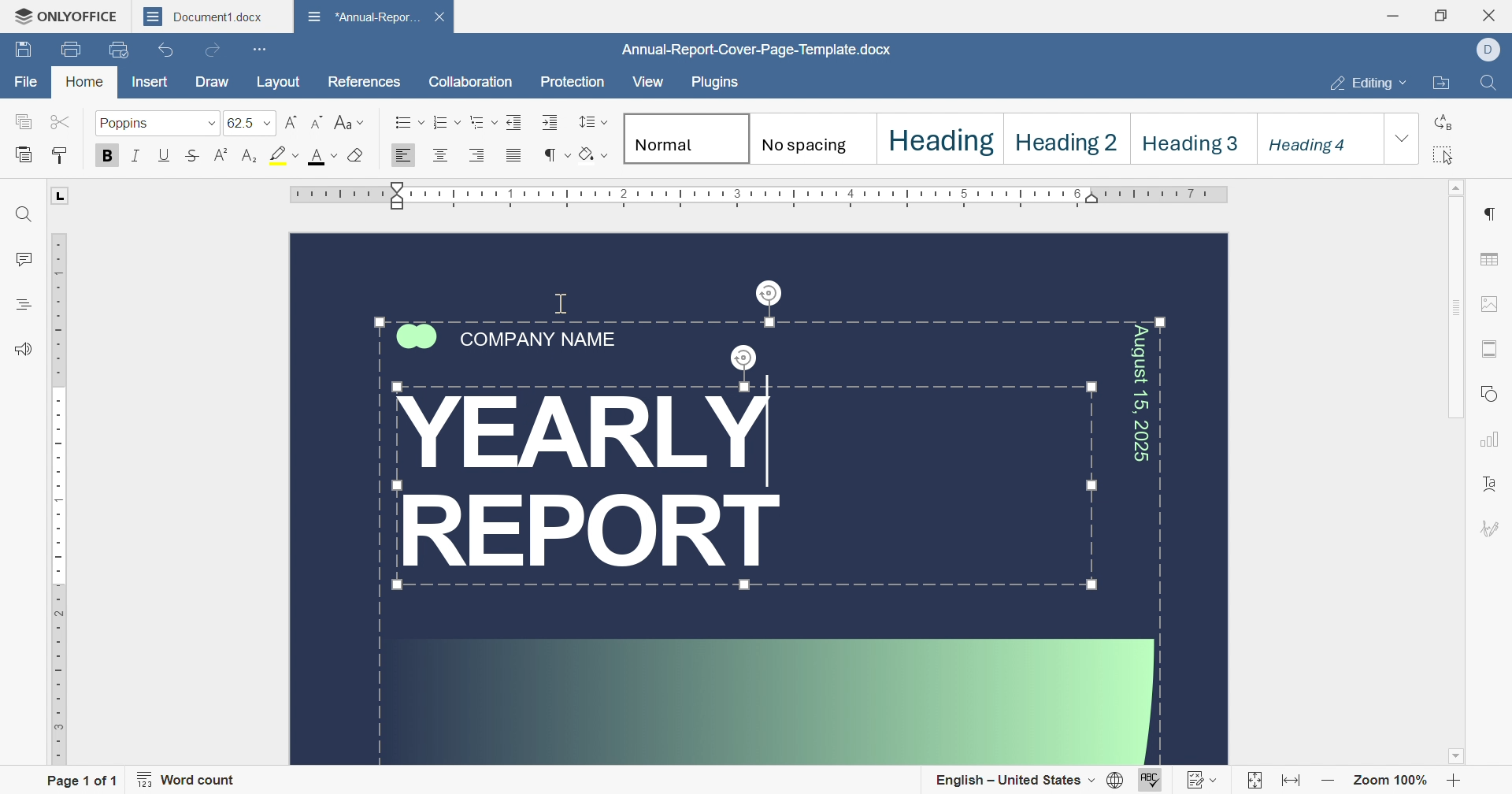 This screenshot has width=1512, height=794. I want to click on clear style, so click(357, 156).